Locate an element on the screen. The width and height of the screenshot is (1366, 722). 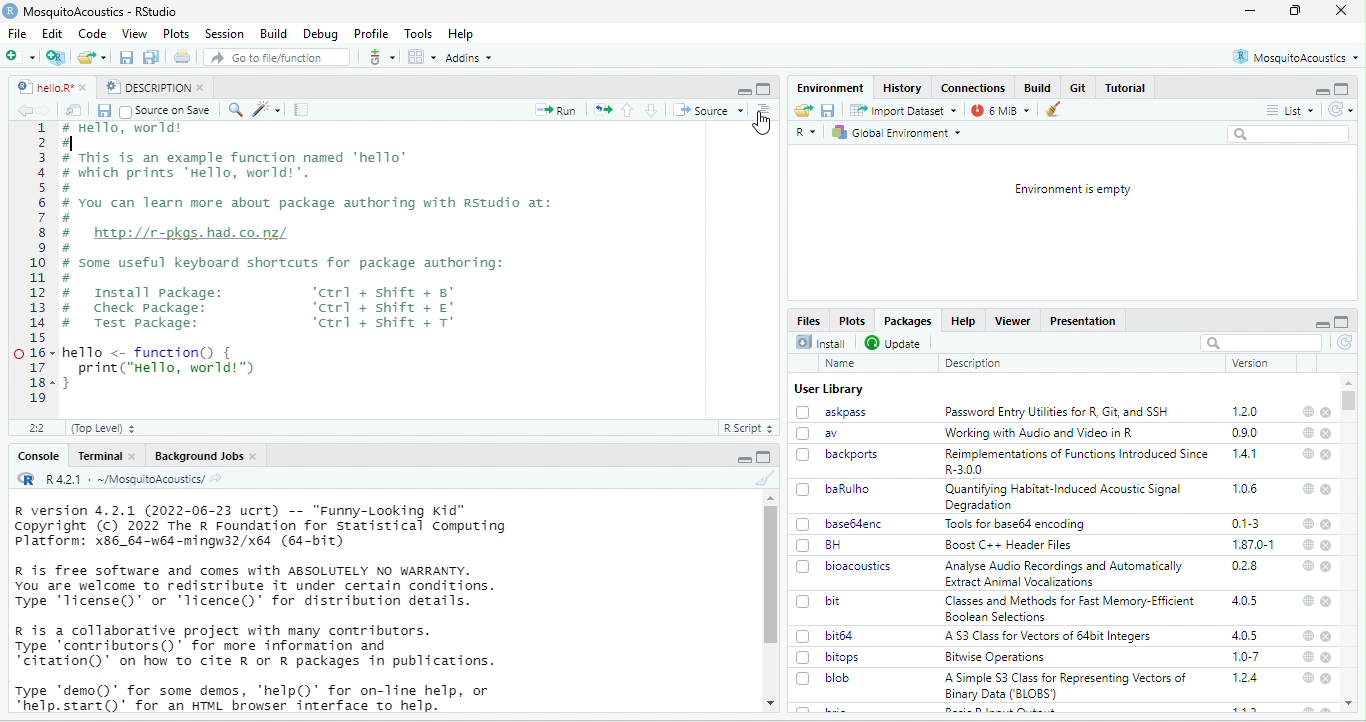
Profile is located at coordinates (372, 33).